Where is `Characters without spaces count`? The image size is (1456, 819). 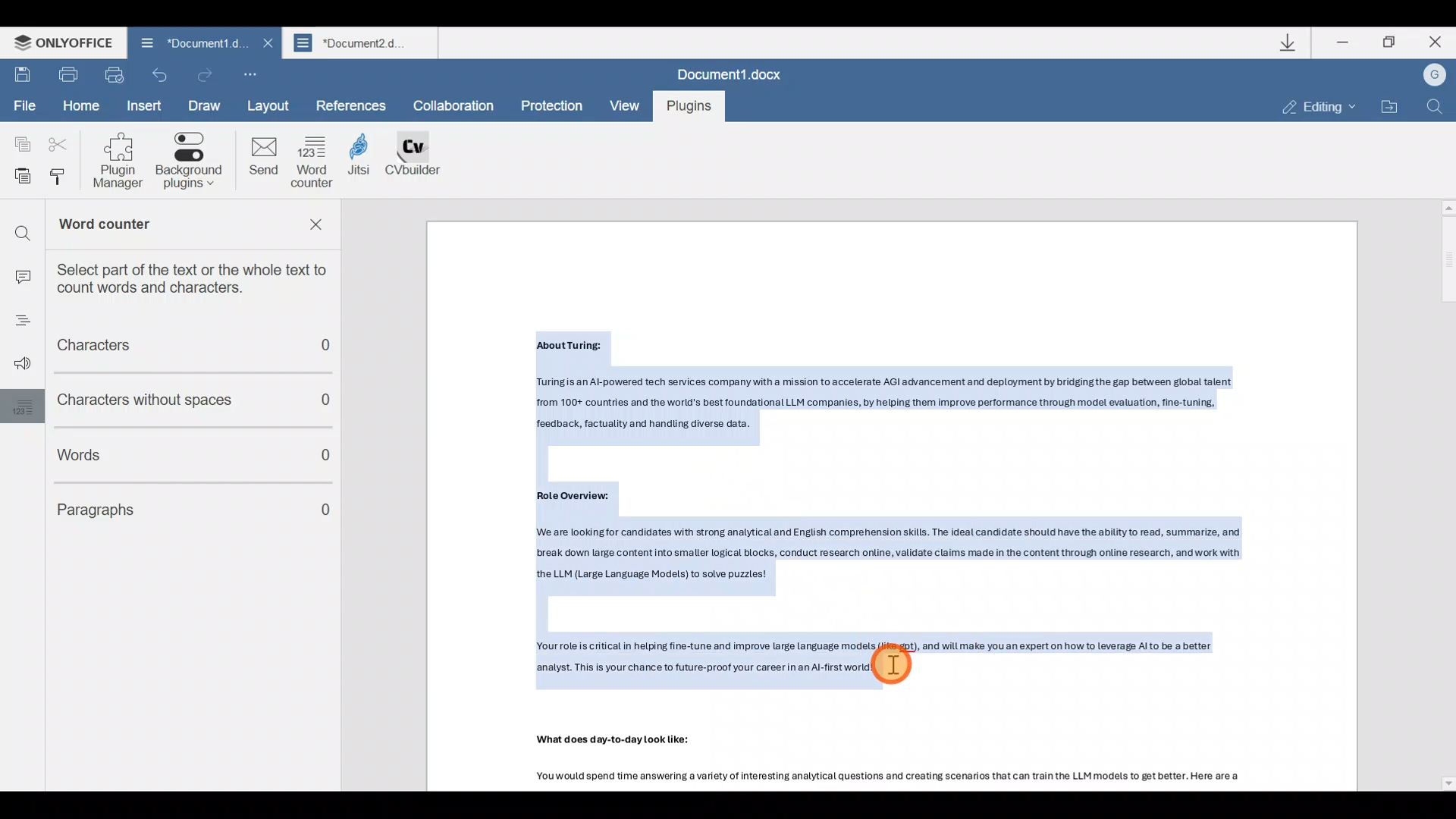
Characters without spaces count is located at coordinates (164, 400).